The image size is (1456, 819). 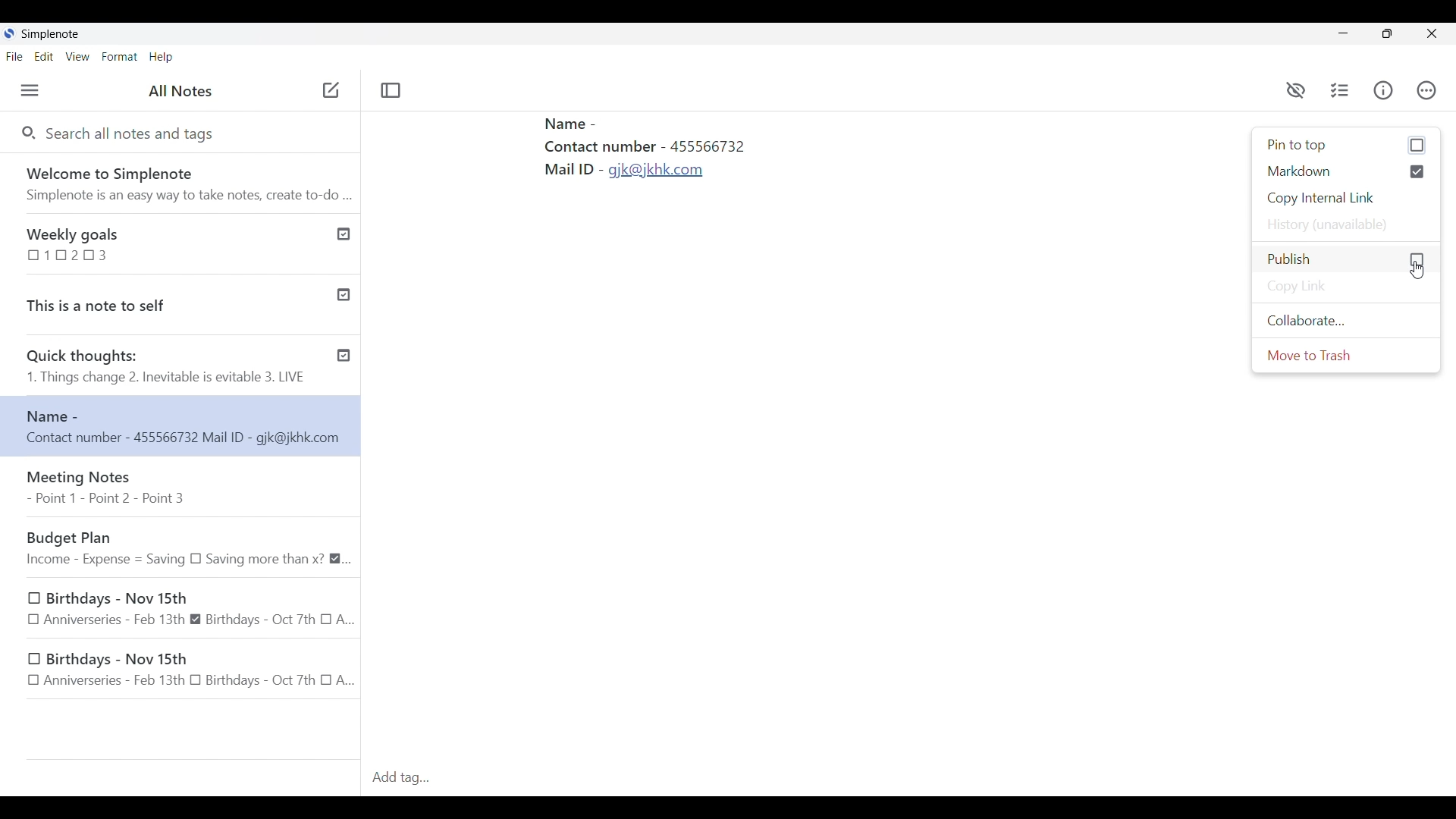 What do you see at coordinates (119, 57) in the screenshot?
I see `Format menu` at bounding box center [119, 57].